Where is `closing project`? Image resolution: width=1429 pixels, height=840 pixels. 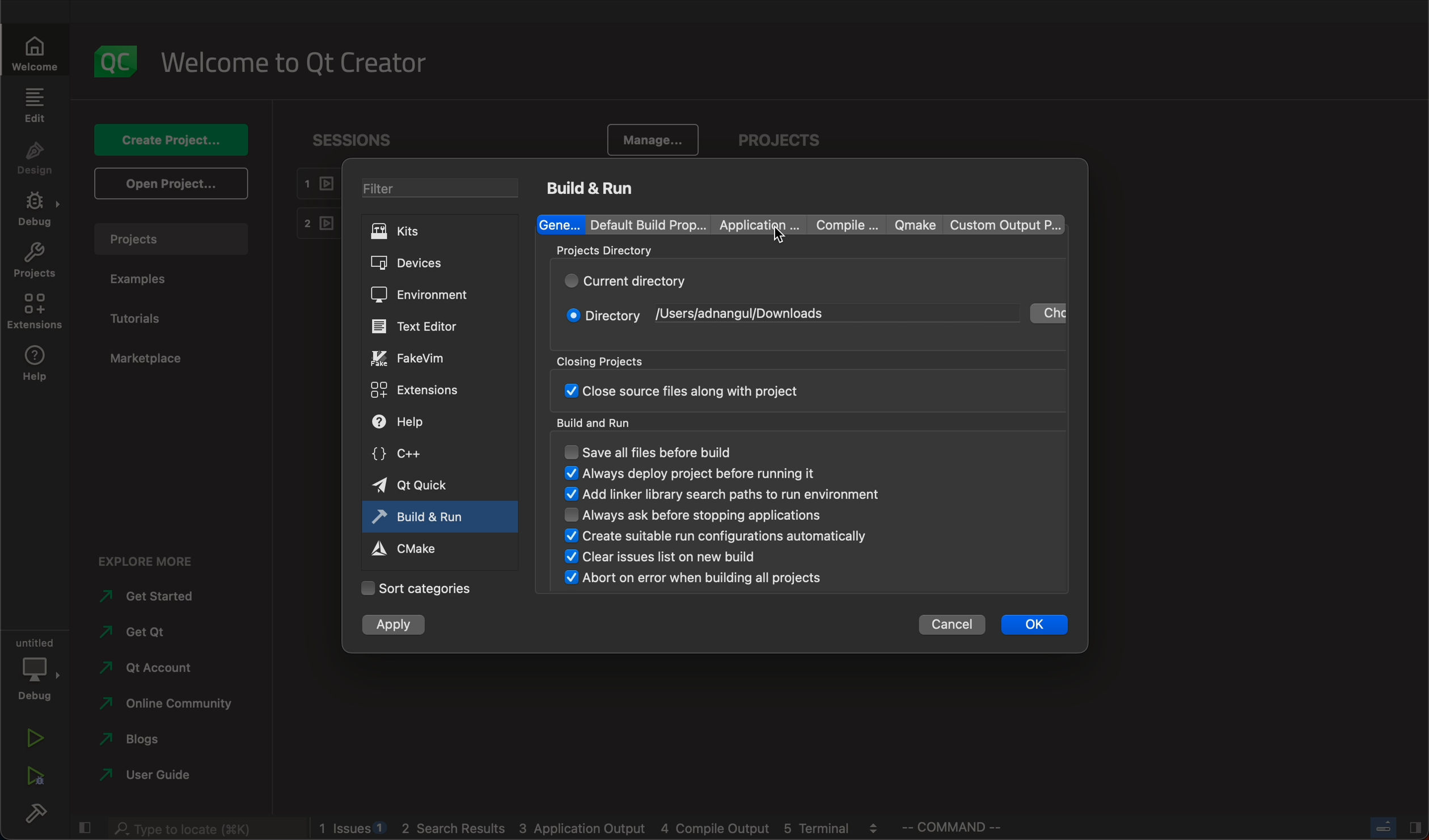
closing project is located at coordinates (802, 379).